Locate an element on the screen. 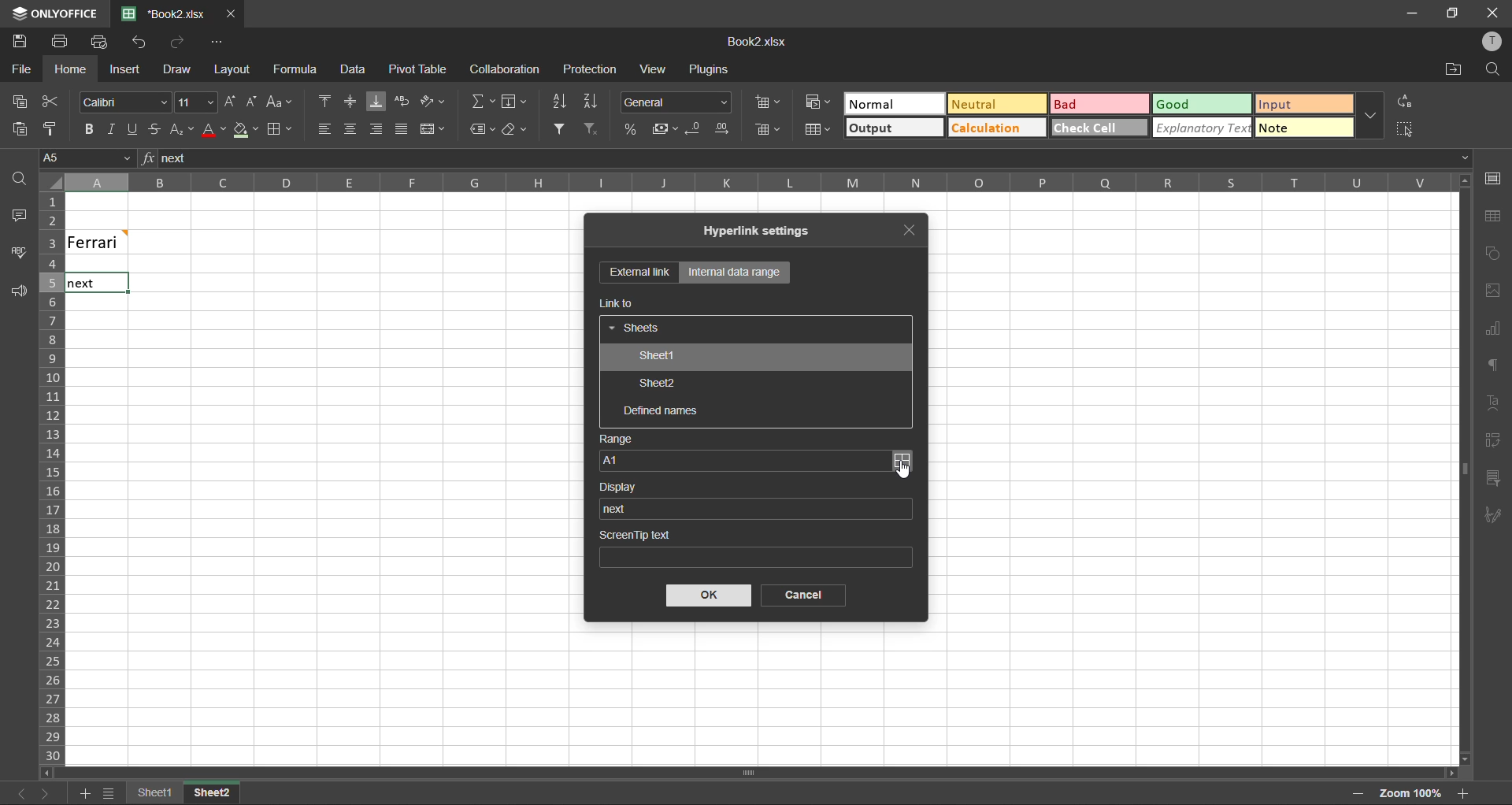 This screenshot has width=1512, height=805. input is located at coordinates (1300, 103).